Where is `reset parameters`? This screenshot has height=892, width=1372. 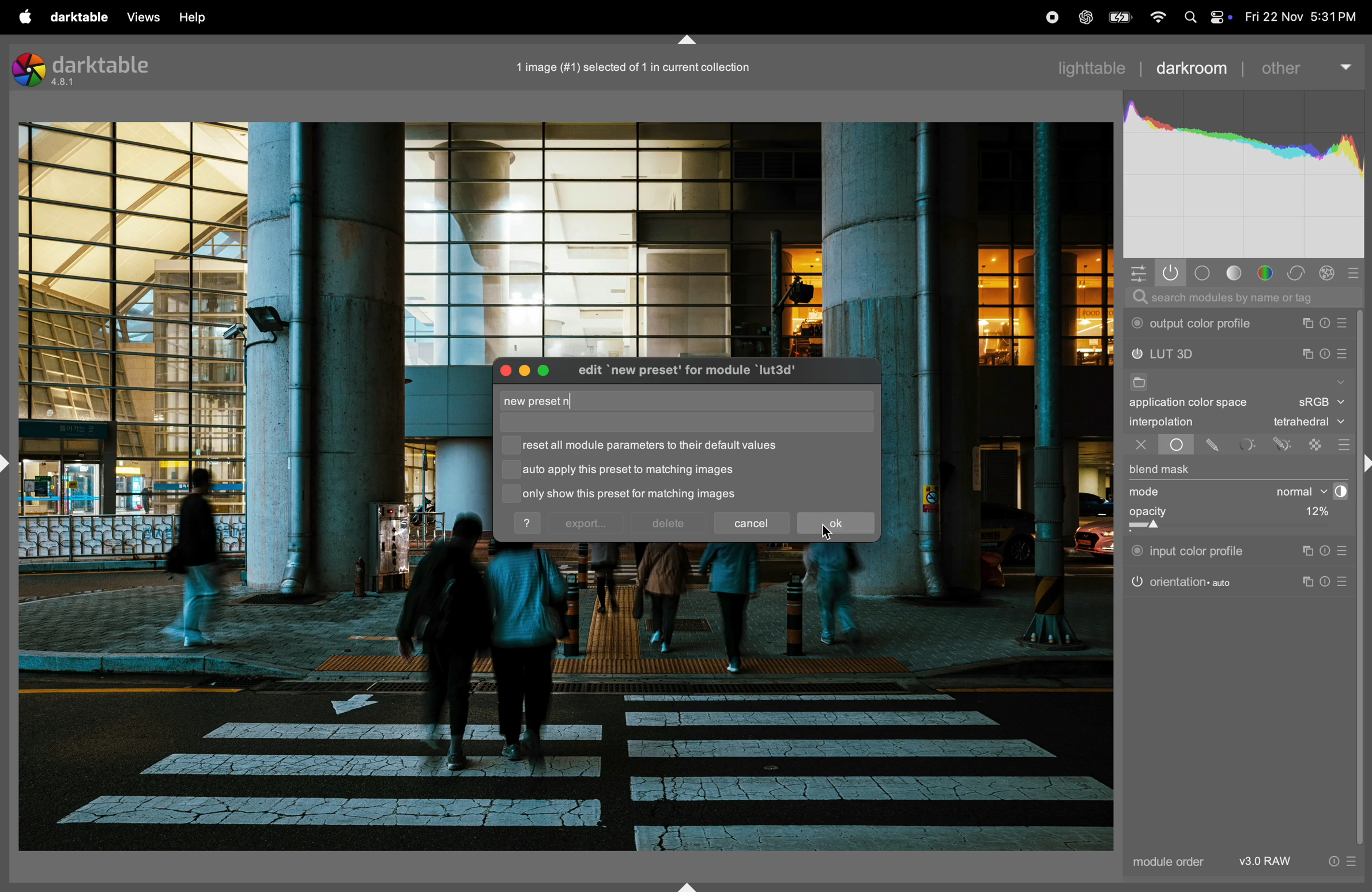 reset parameters is located at coordinates (1325, 352).